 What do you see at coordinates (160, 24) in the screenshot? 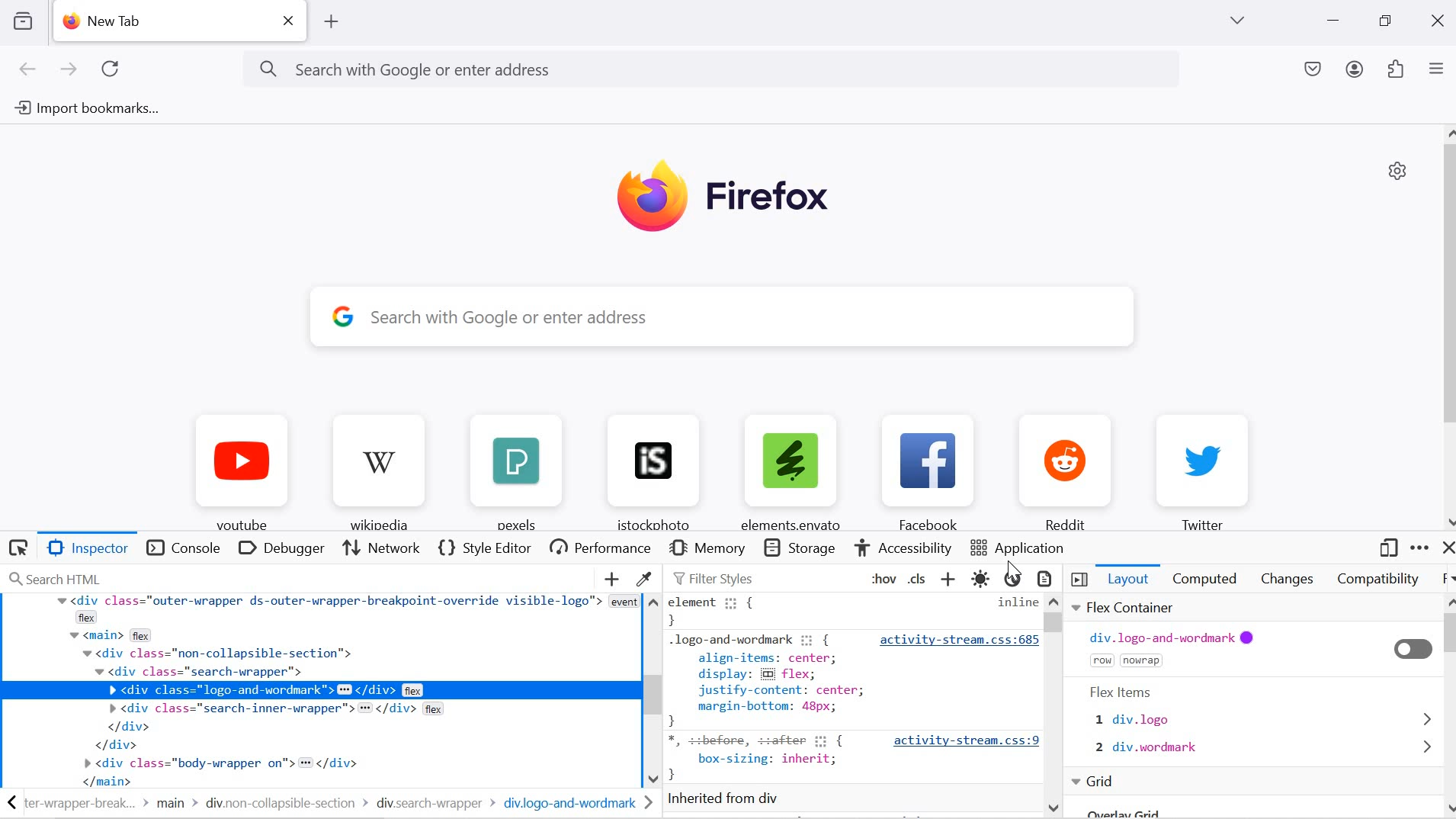
I see `NEW TAB` at bounding box center [160, 24].